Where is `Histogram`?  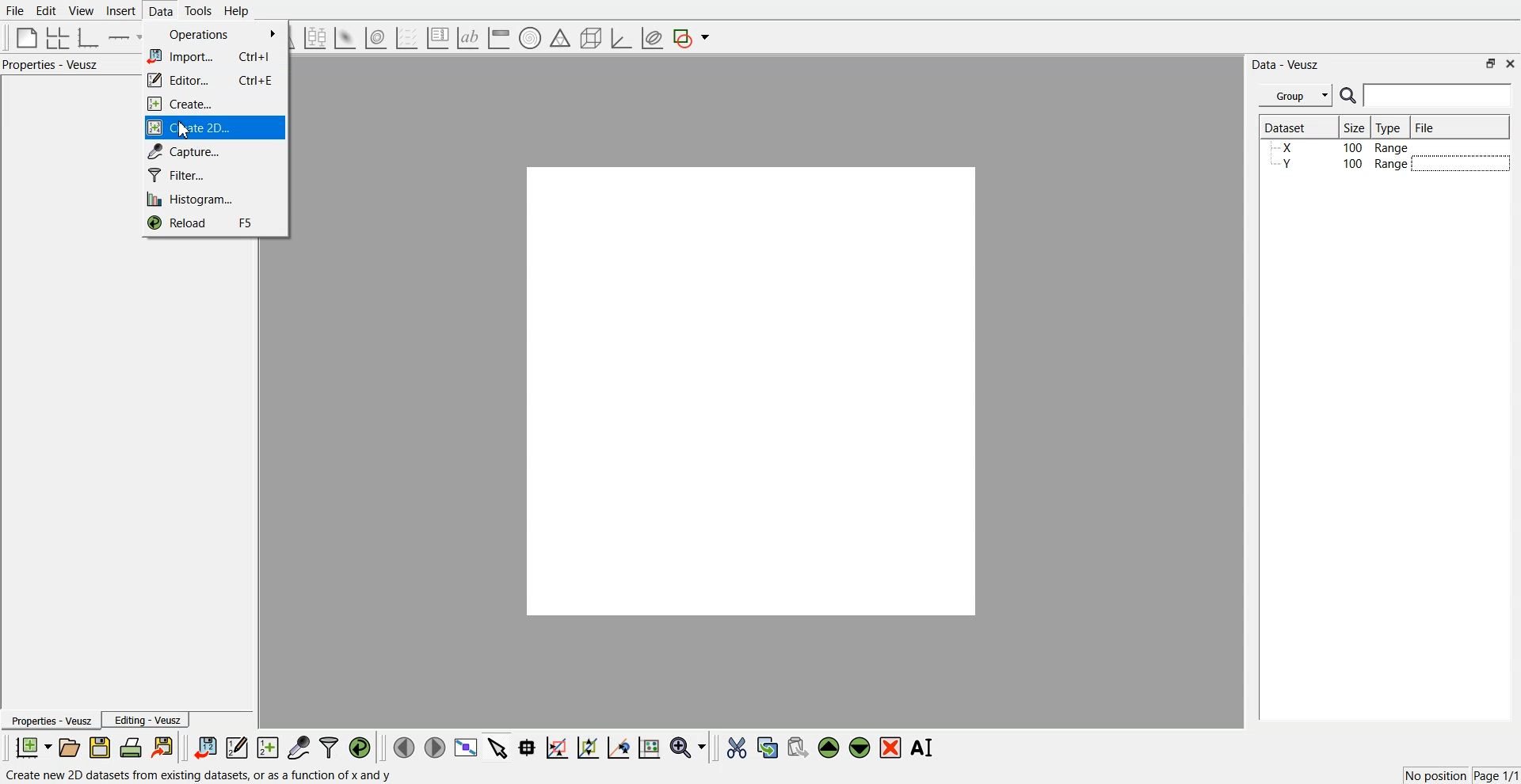
Histogram is located at coordinates (213, 198).